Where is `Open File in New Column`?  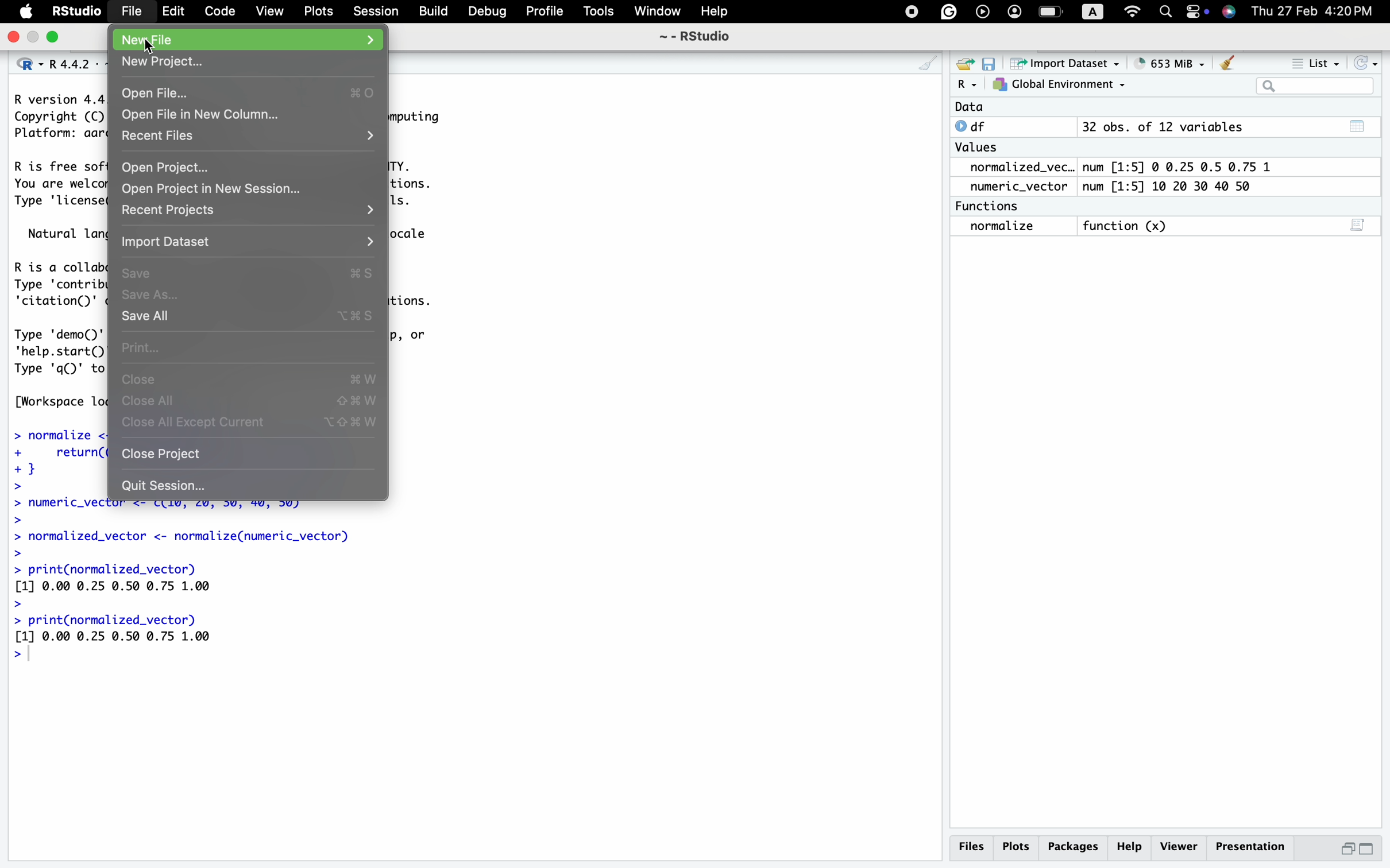 Open File in New Column is located at coordinates (208, 117).